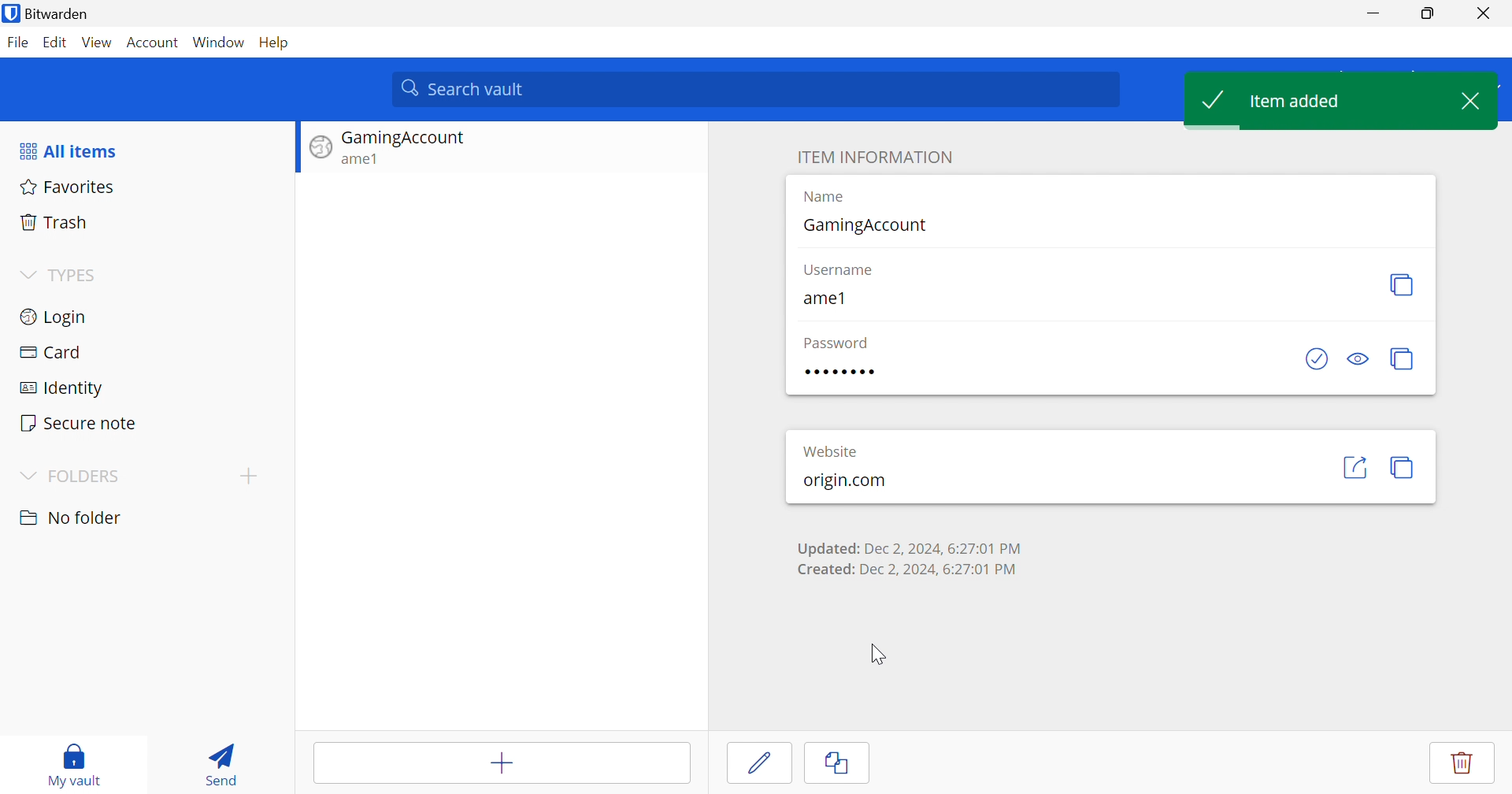  I want to click on Password, so click(838, 343).